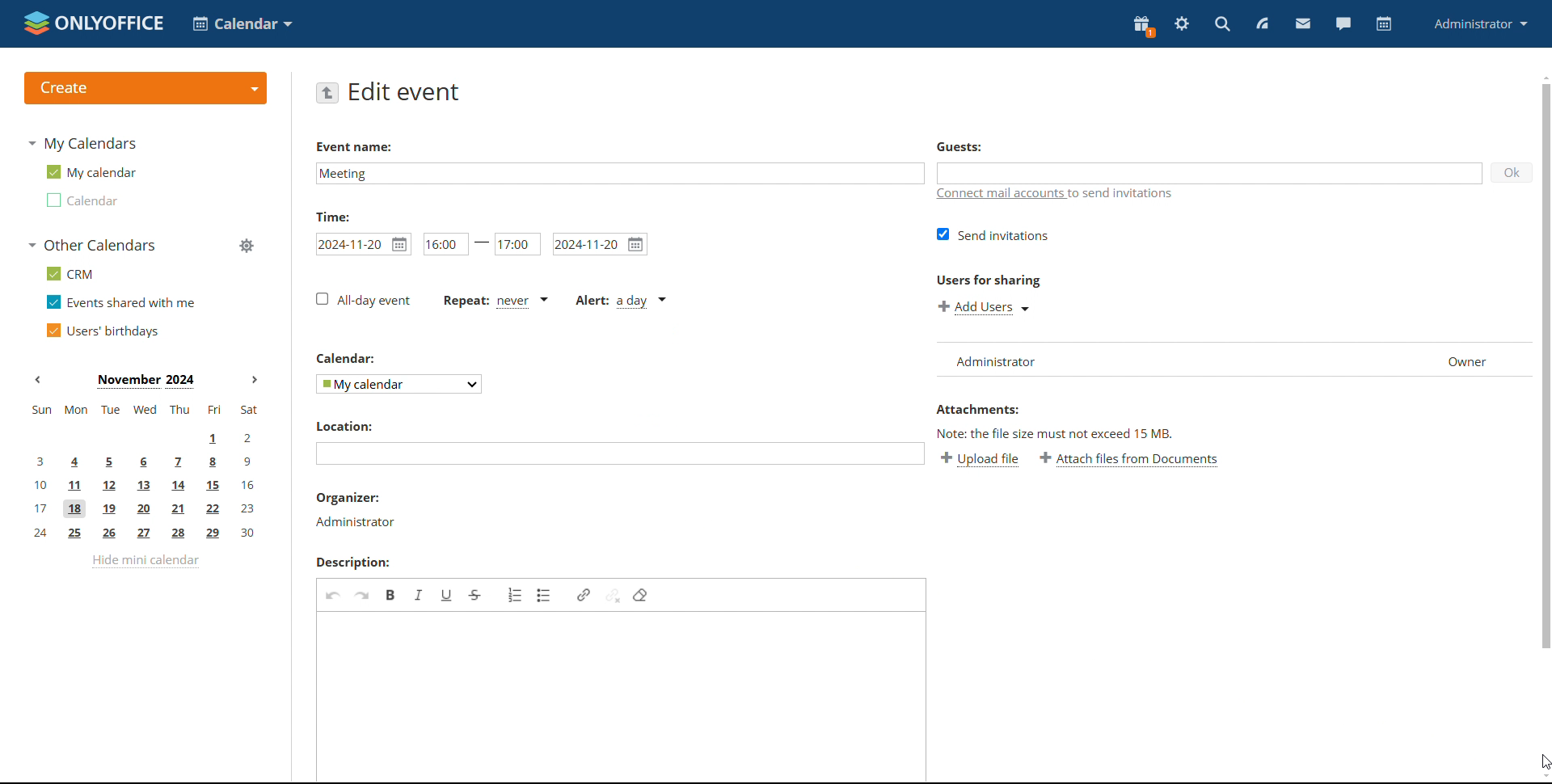 The width and height of the screenshot is (1552, 784). Describe the element at coordinates (146, 381) in the screenshot. I see `Month on display` at that location.